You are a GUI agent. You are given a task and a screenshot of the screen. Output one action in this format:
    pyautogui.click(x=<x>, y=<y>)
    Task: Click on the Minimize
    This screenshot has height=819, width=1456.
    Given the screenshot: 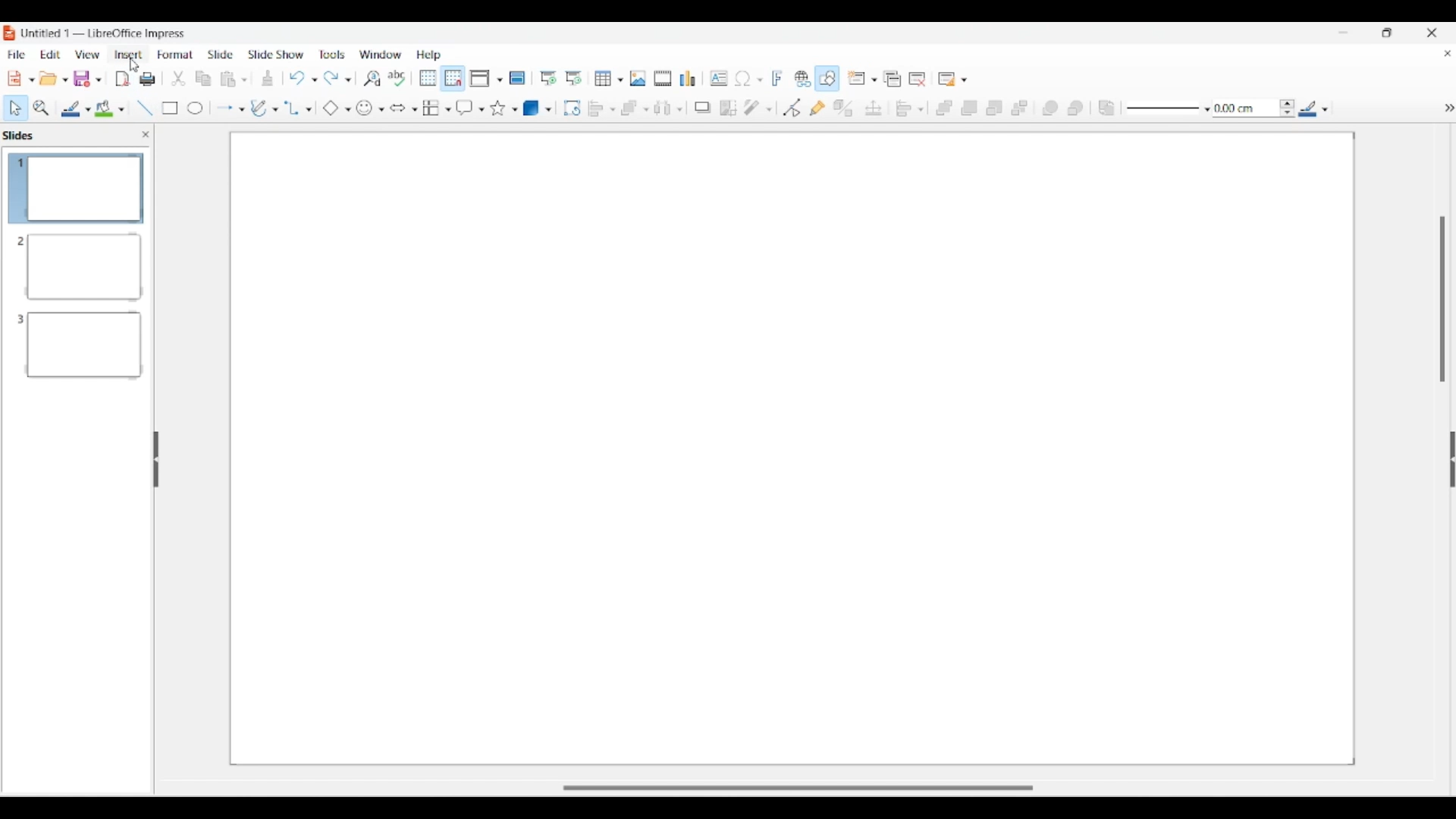 What is the action you would take?
    pyautogui.click(x=1343, y=32)
    